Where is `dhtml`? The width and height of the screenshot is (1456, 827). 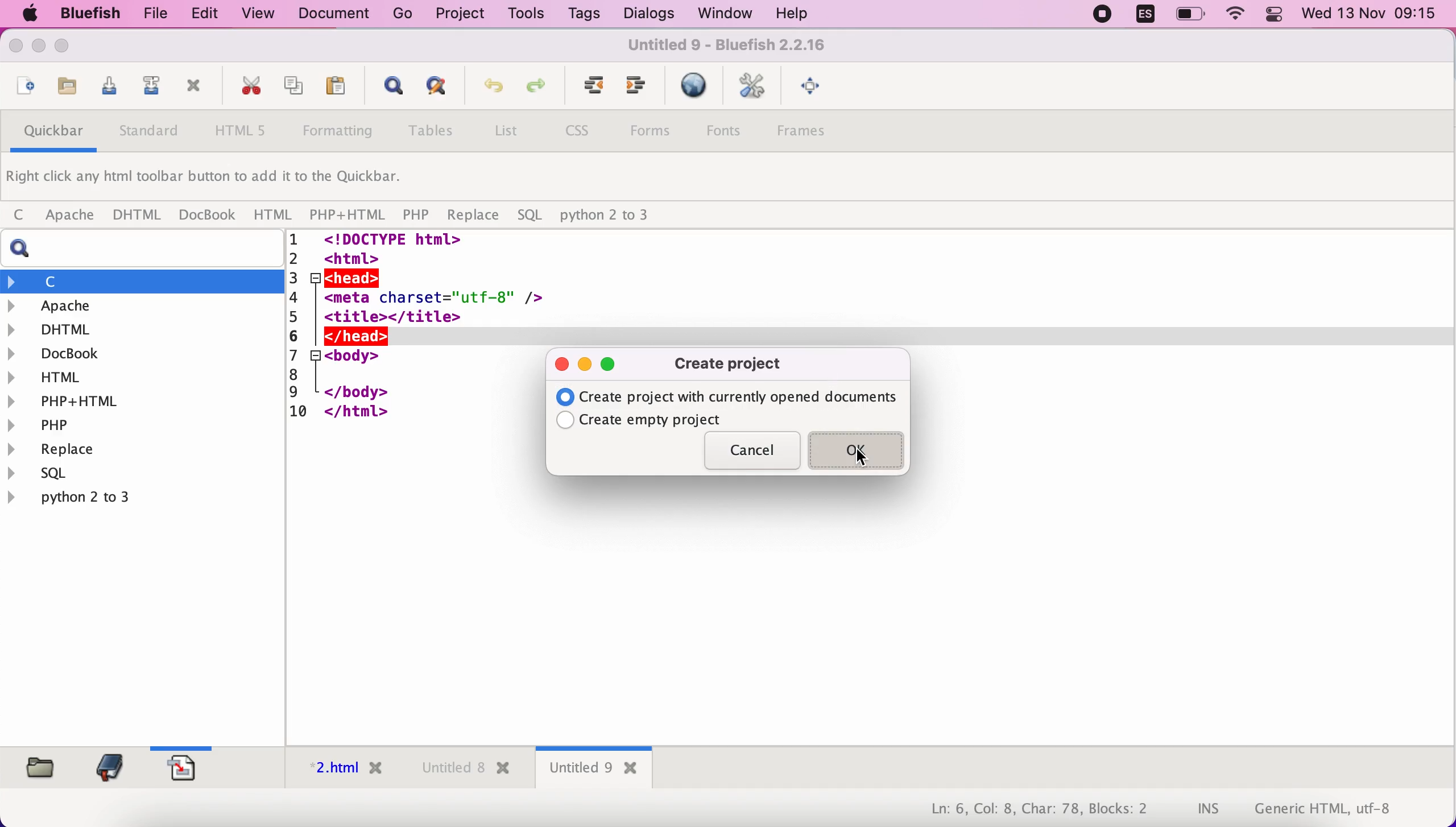
dhtml is located at coordinates (143, 328).